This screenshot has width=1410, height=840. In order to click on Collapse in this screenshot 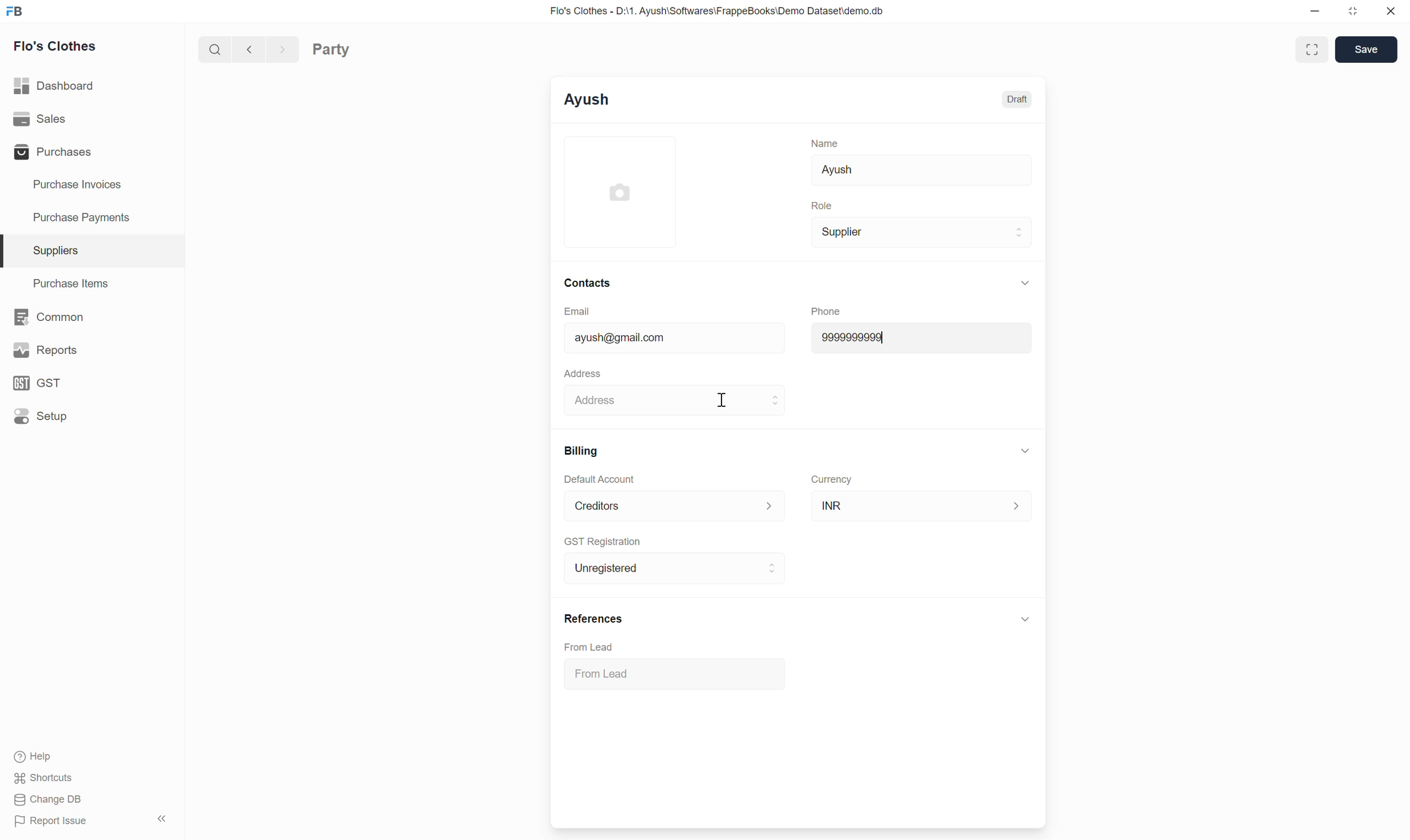, I will do `click(1025, 451)`.